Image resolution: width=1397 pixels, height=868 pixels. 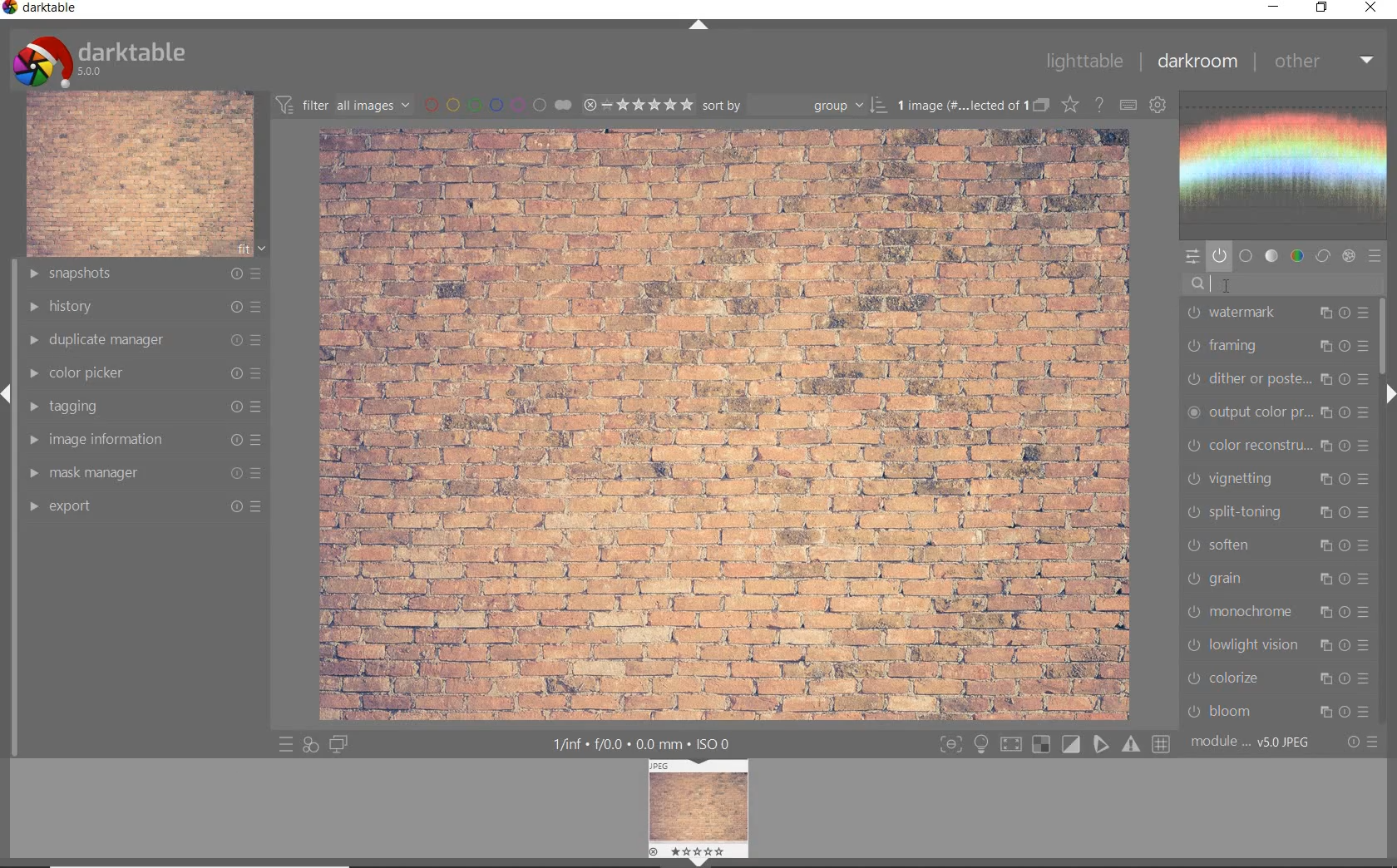 I want to click on color, so click(x=1296, y=256).